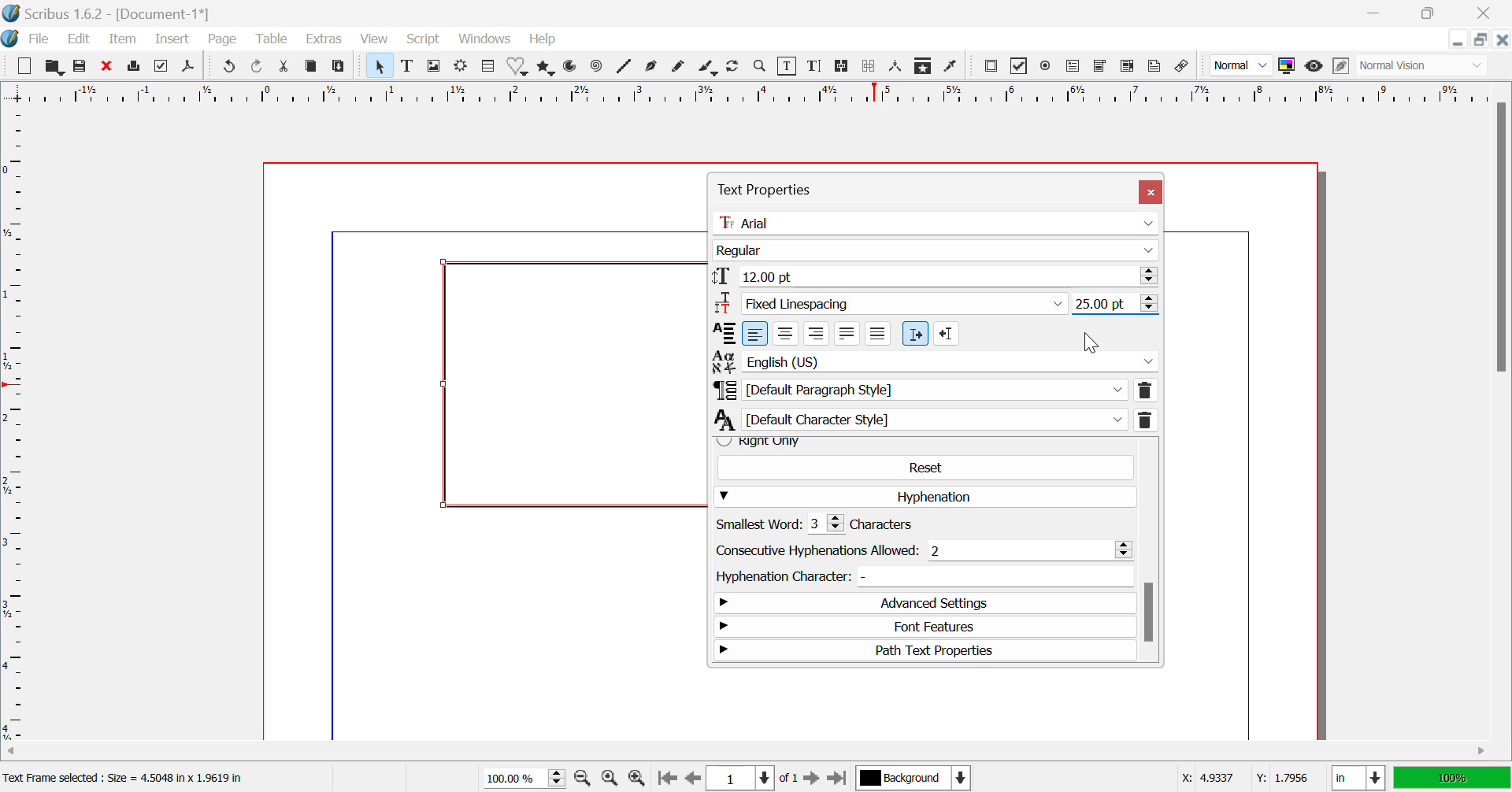 This screenshot has width=1512, height=792. Describe the element at coordinates (577, 383) in the screenshot. I see `textbox` at that location.